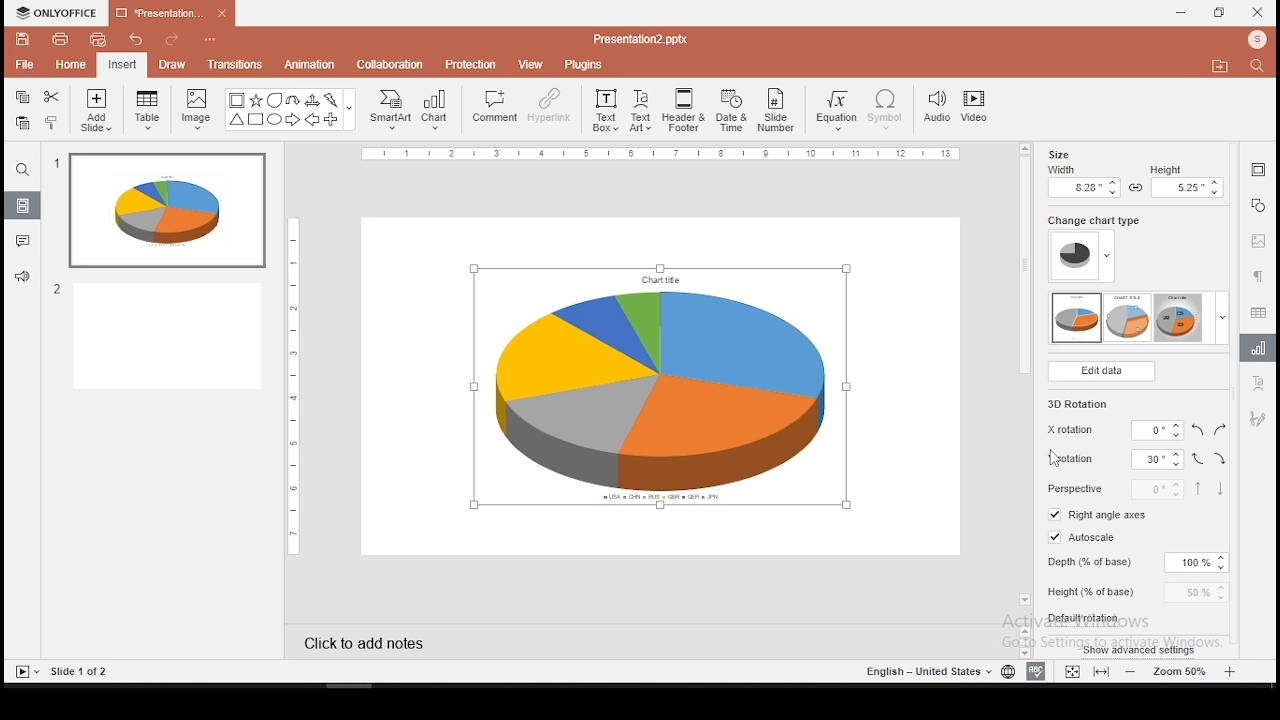 Image resolution: width=1280 pixels, height=720 pixels. What do you see at coordinates (169, 13) in the screenshot?
I see `presentation` at bounding box center [169, 13].